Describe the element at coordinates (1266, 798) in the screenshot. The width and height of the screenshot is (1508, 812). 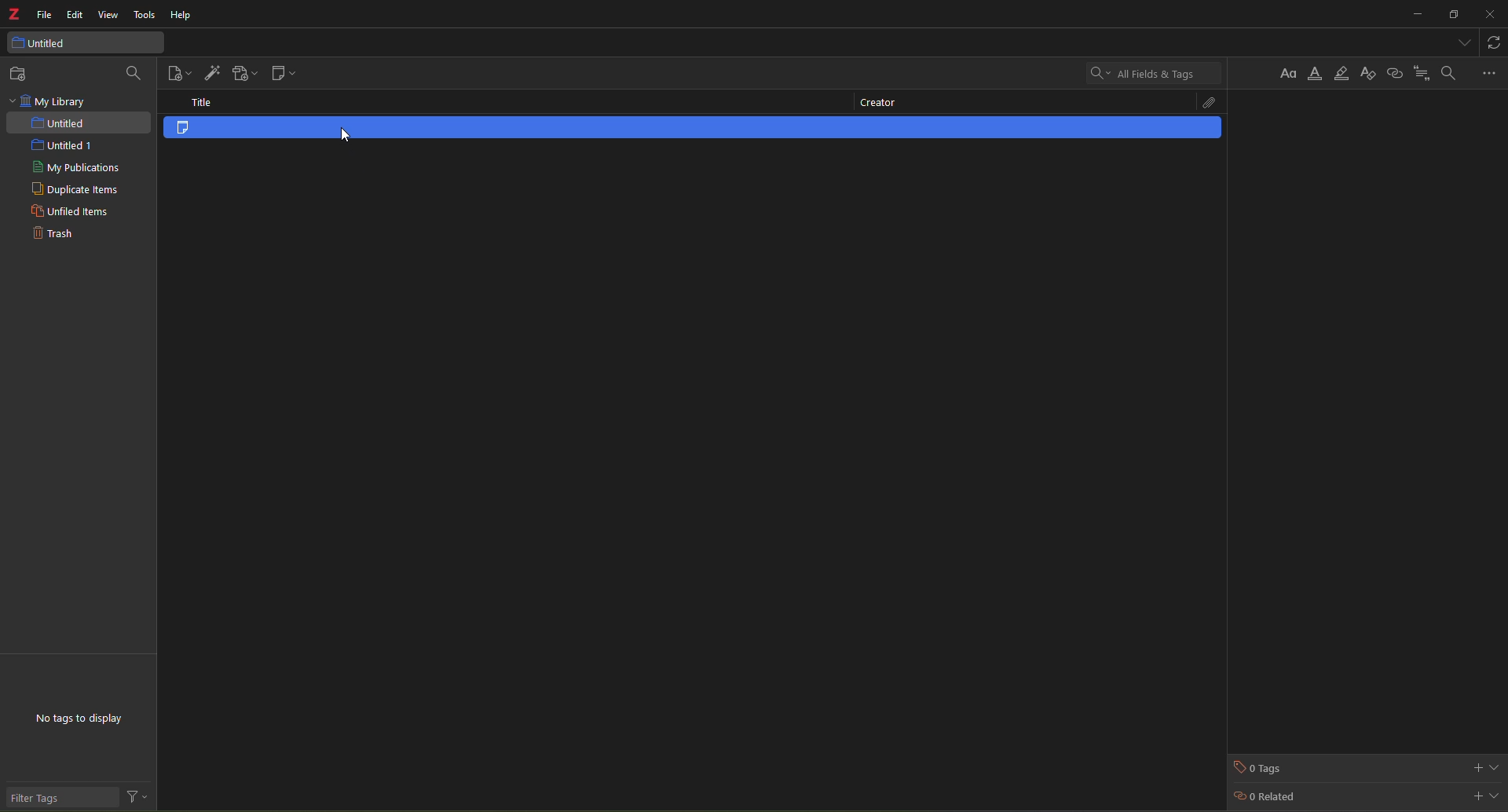
I see `related` at that location.